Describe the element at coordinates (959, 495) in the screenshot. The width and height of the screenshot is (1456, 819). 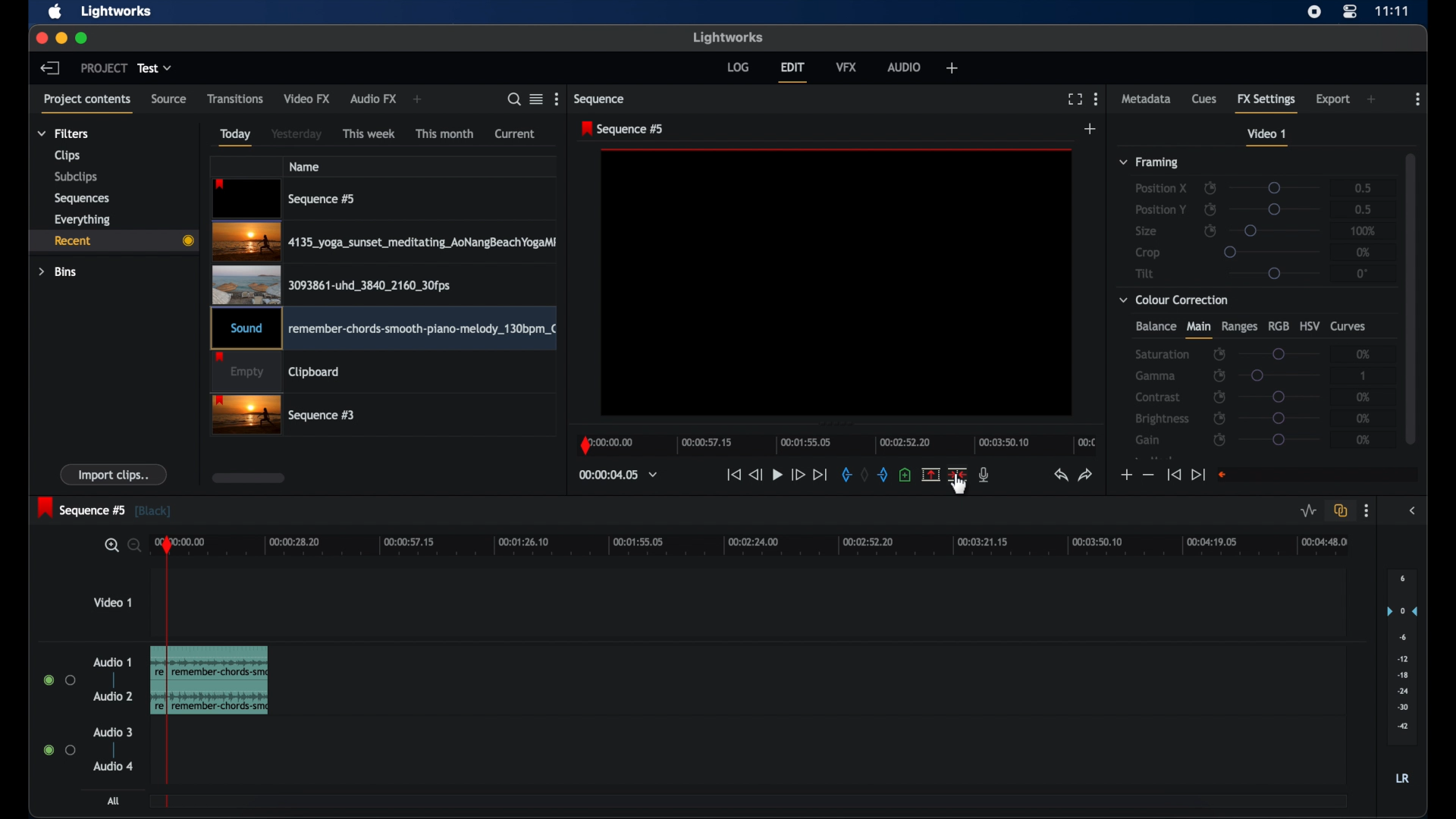
I see `cursor` at that location.